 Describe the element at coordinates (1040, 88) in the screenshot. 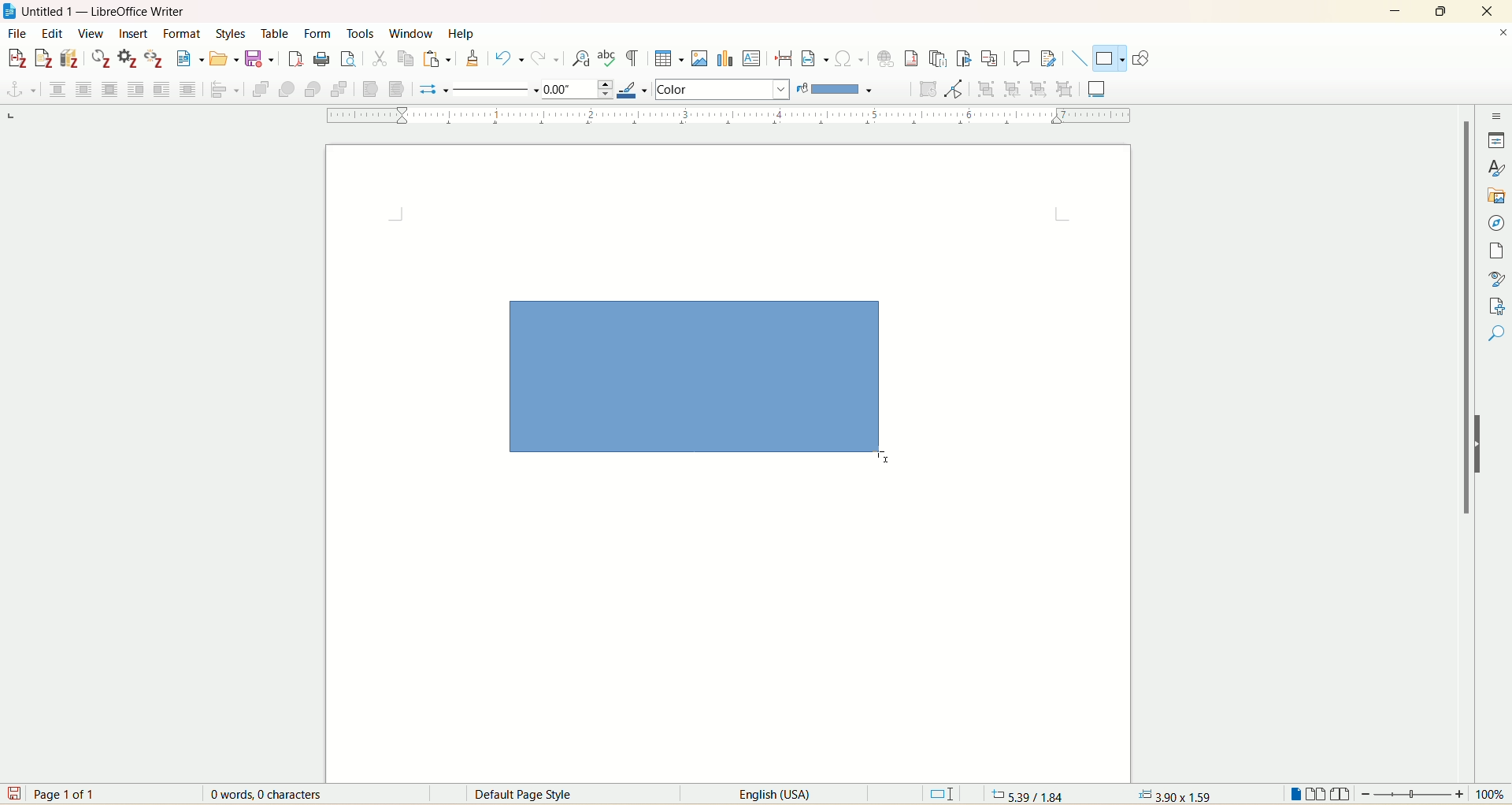

I see `exit group` at that location.